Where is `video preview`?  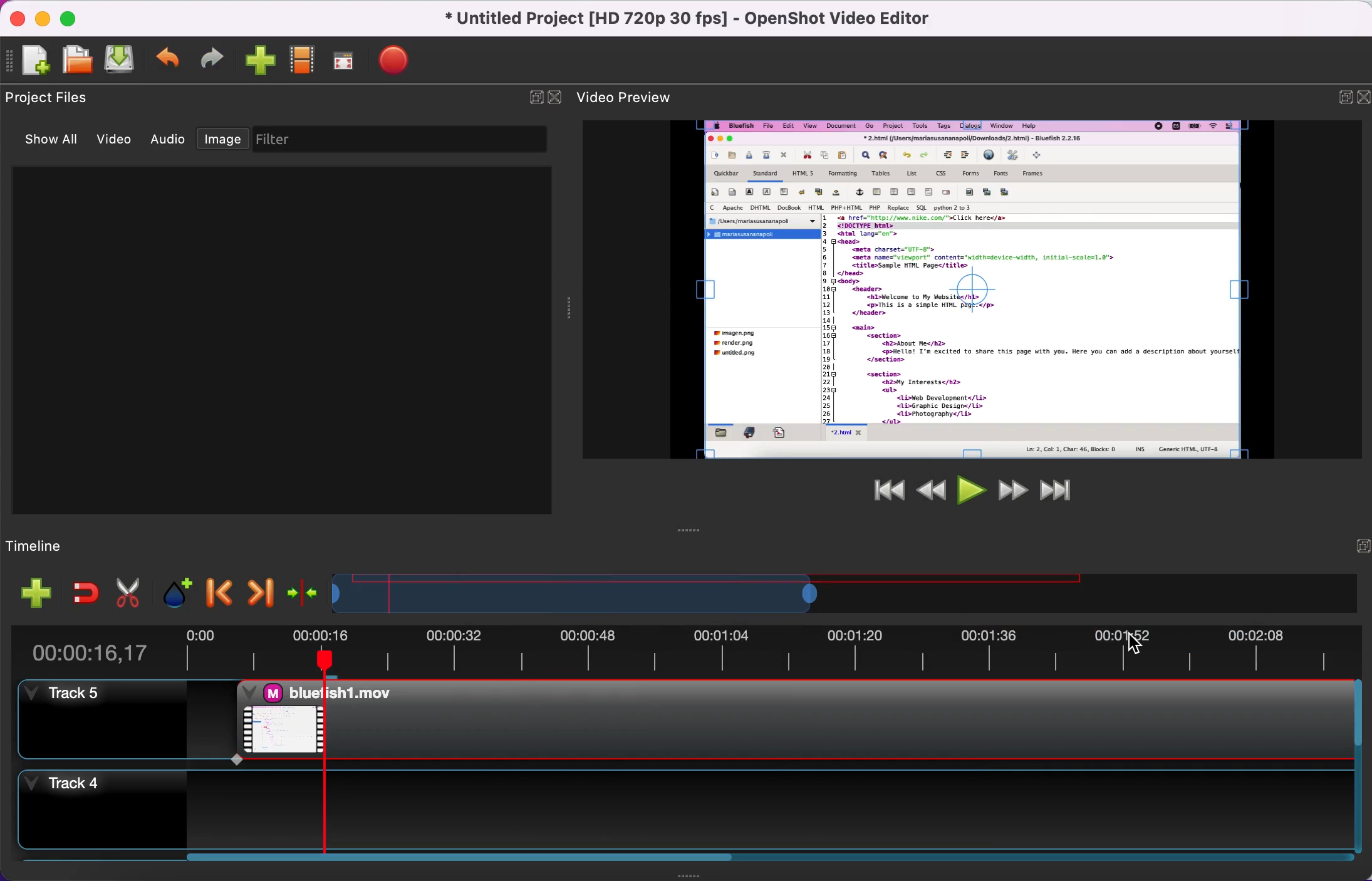 video preview is located at coordinates (637, 95).